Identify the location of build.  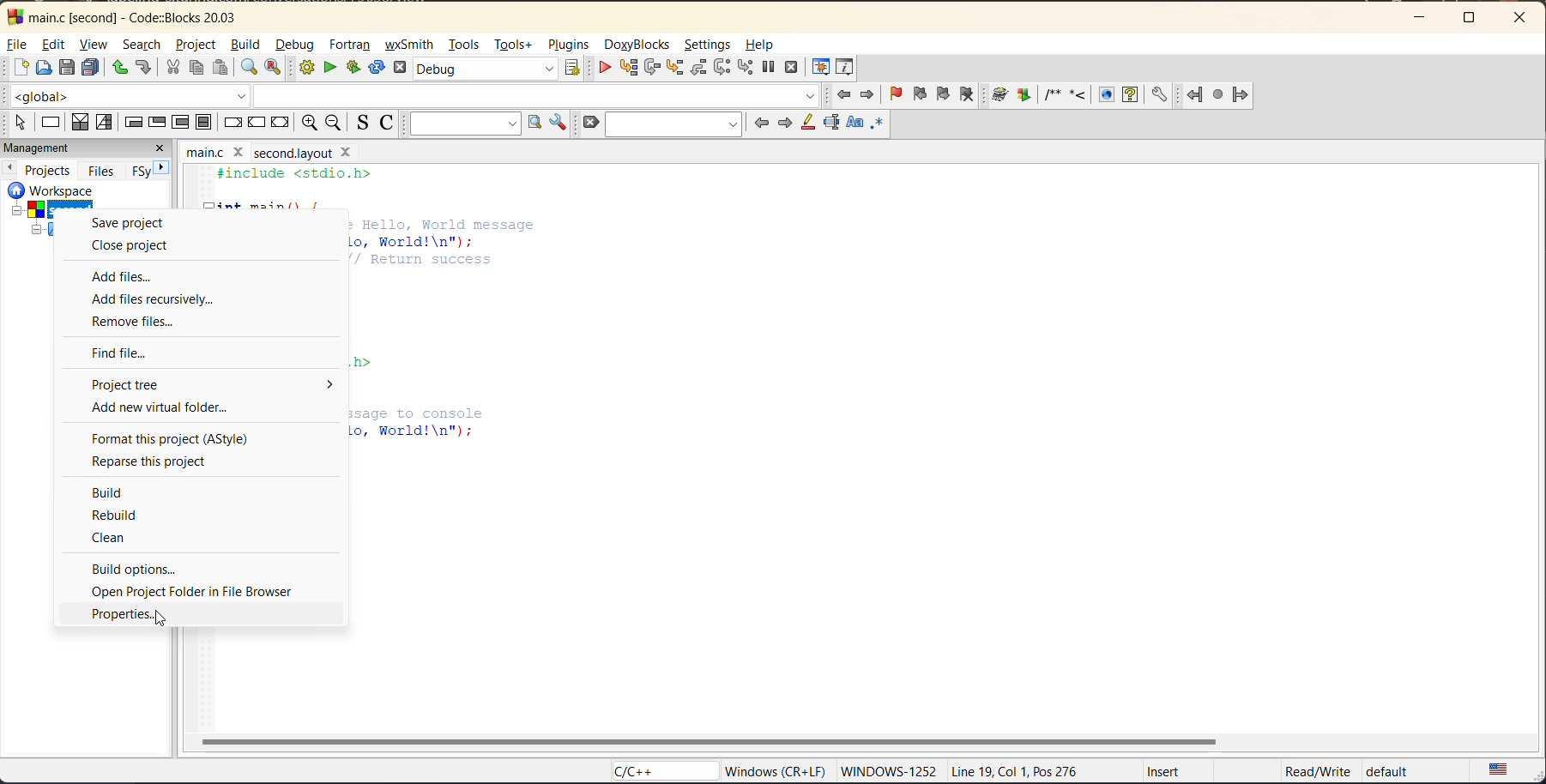
(244, 43).